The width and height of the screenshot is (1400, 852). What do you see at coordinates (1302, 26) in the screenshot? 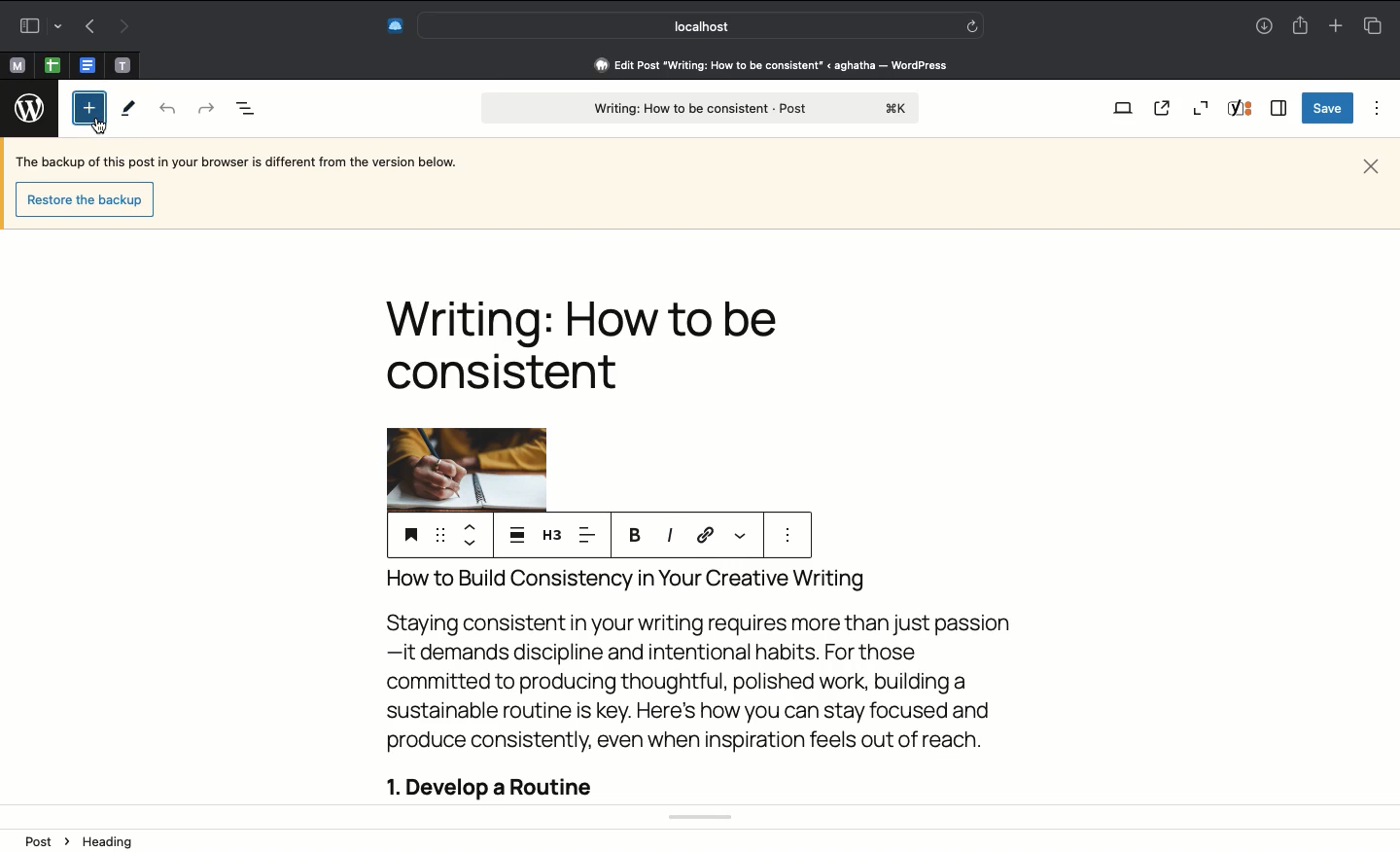
I see `Share` at bounding box center [1302, 26].